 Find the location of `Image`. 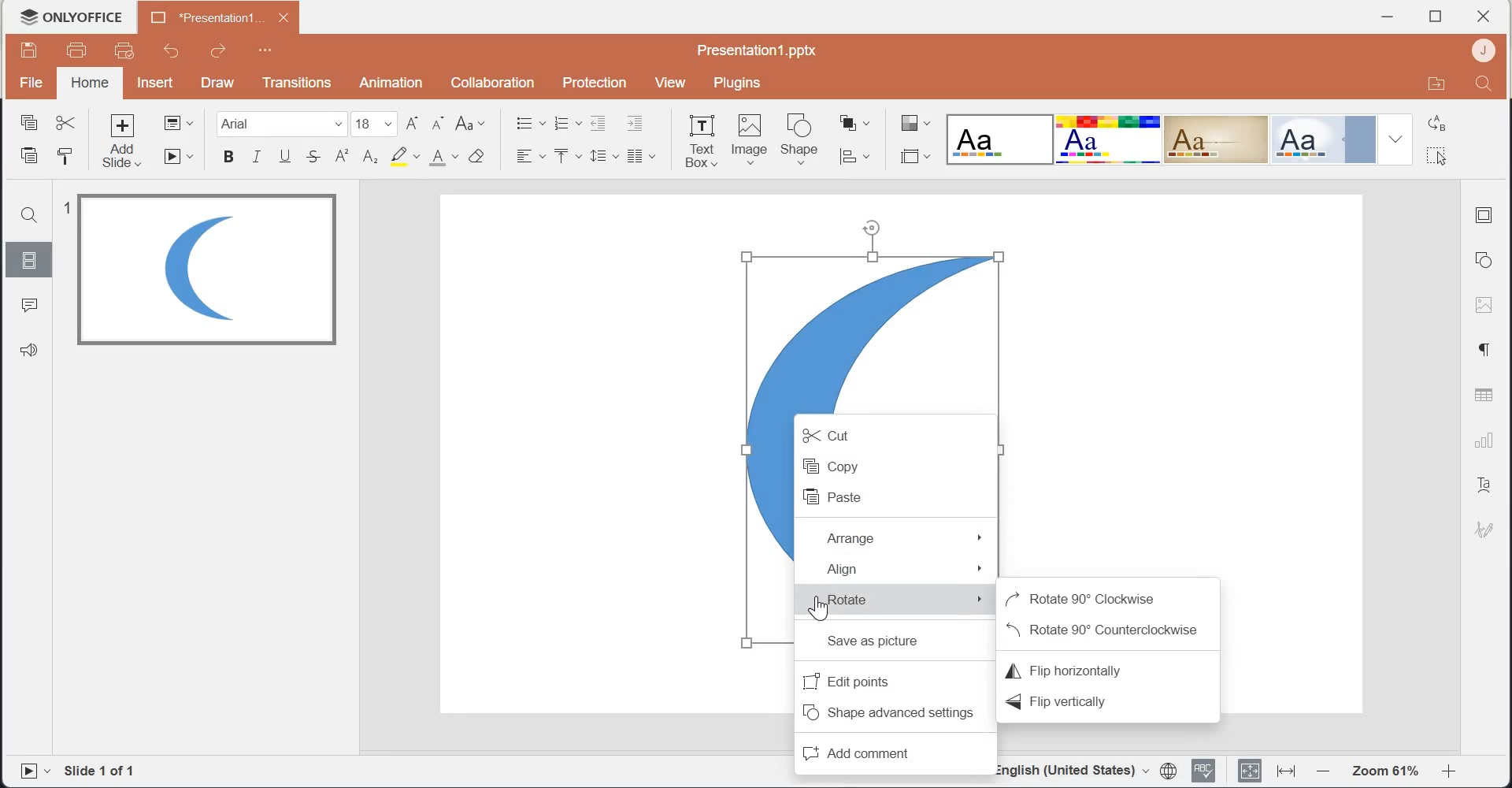

Image is located at coordinates (206, 271).